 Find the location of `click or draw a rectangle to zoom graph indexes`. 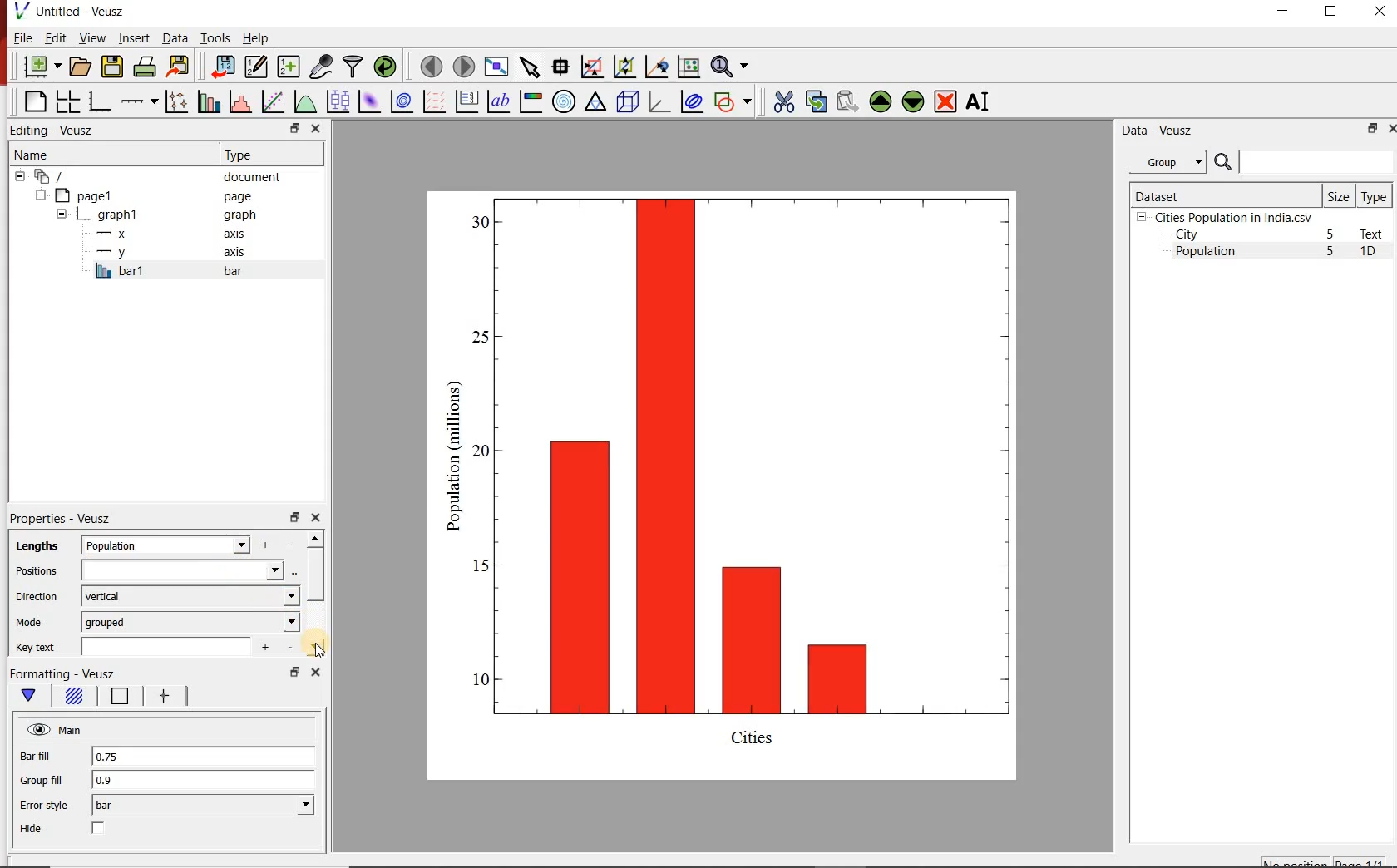

click or draw a rectangle to zoom graph indexes is located at coordinates (590, 66).